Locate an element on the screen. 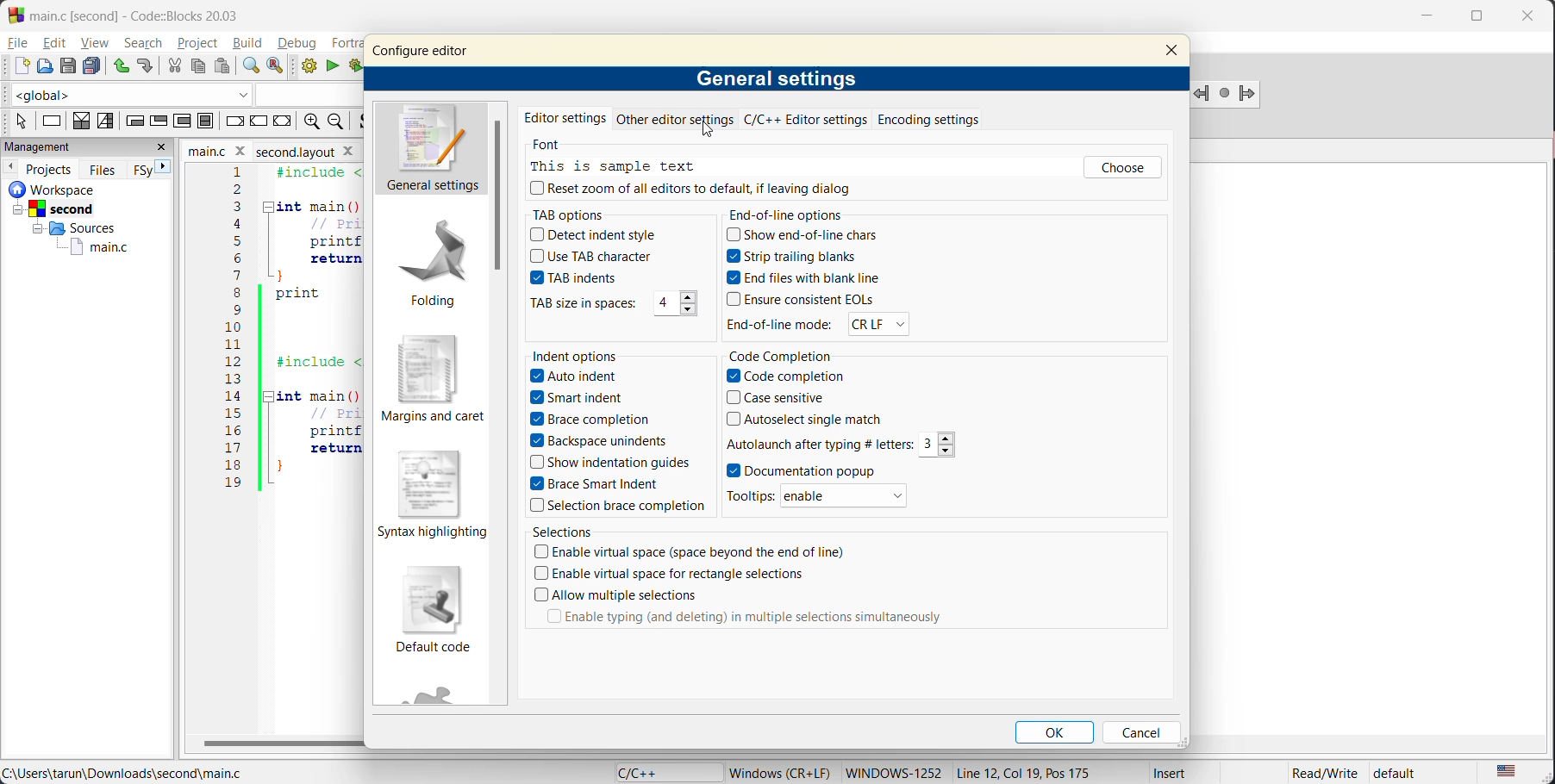  break instruction is located at coordinates (236, 121).